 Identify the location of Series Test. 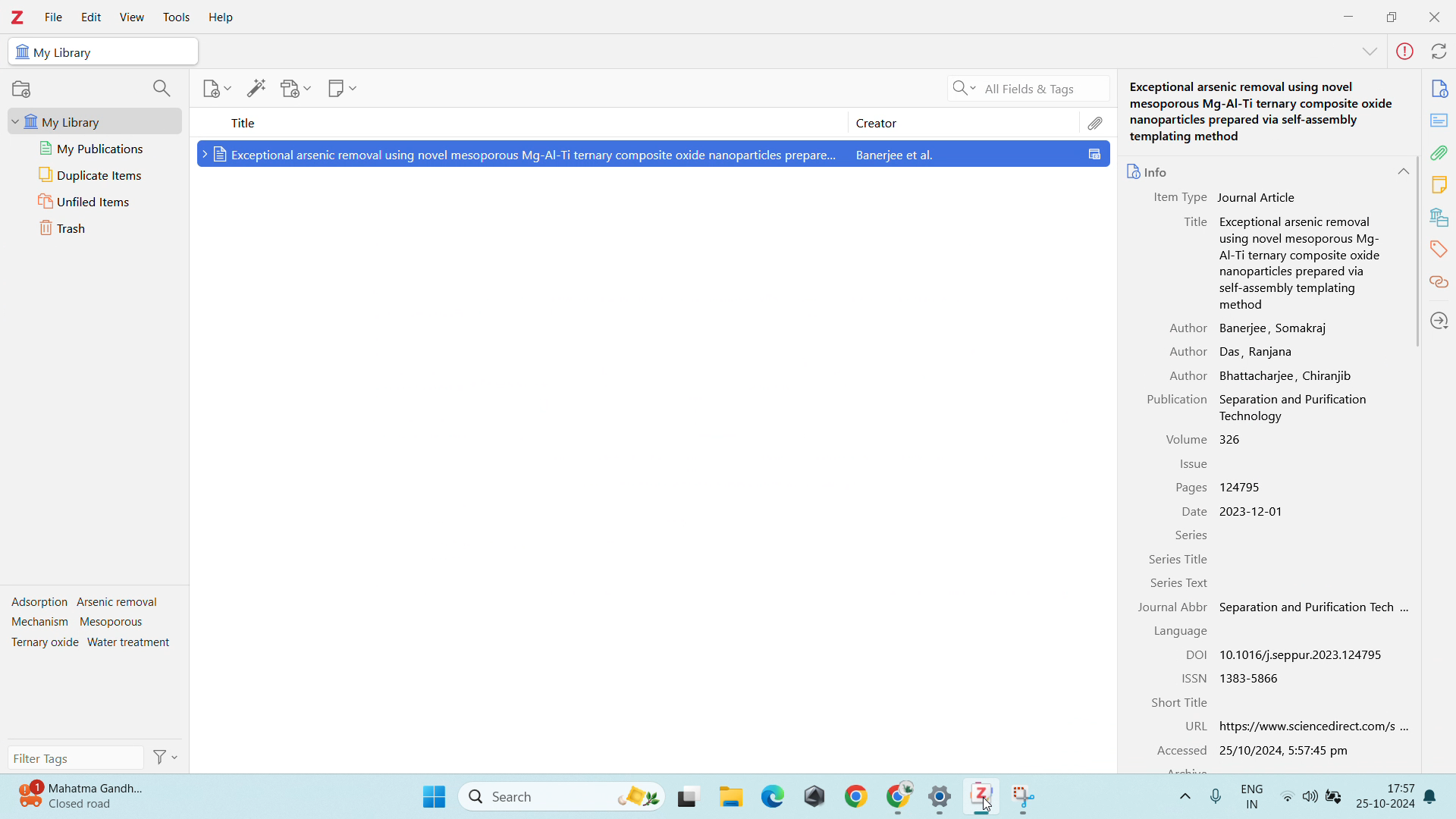
(1197, 584).